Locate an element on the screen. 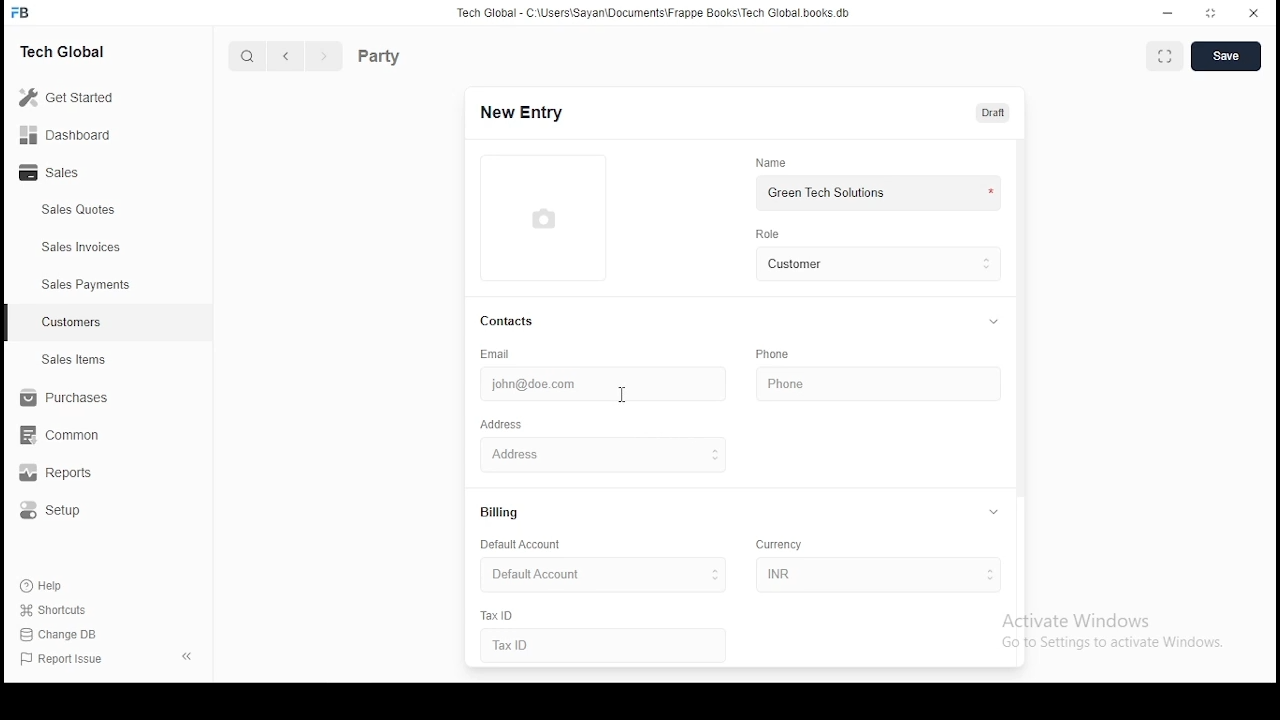 The width and height of the screenshot is (1280, 720). minimize is located at coordinates (1169, 13).